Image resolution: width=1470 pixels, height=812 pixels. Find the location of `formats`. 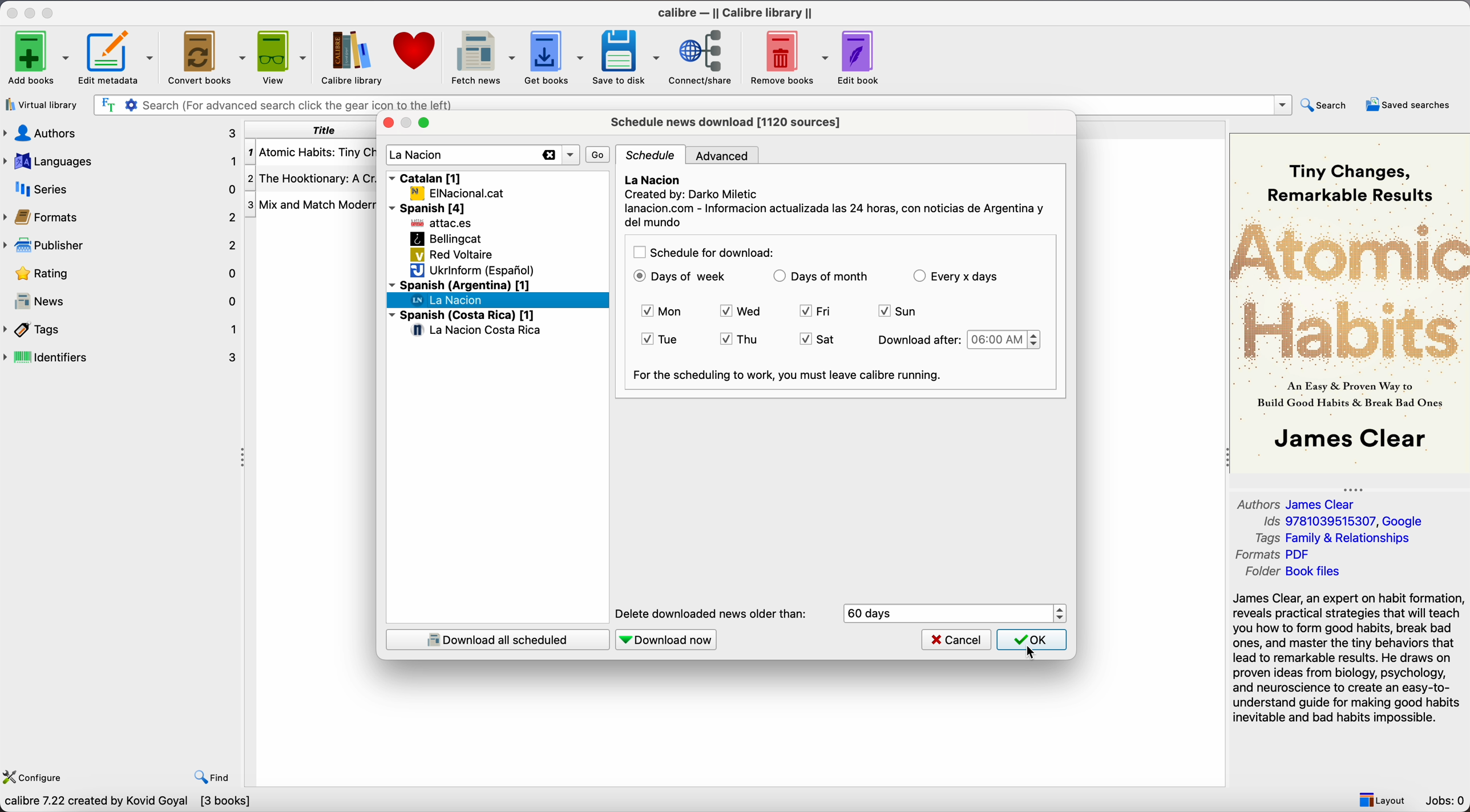

formats is located at coordinates (119, 216).